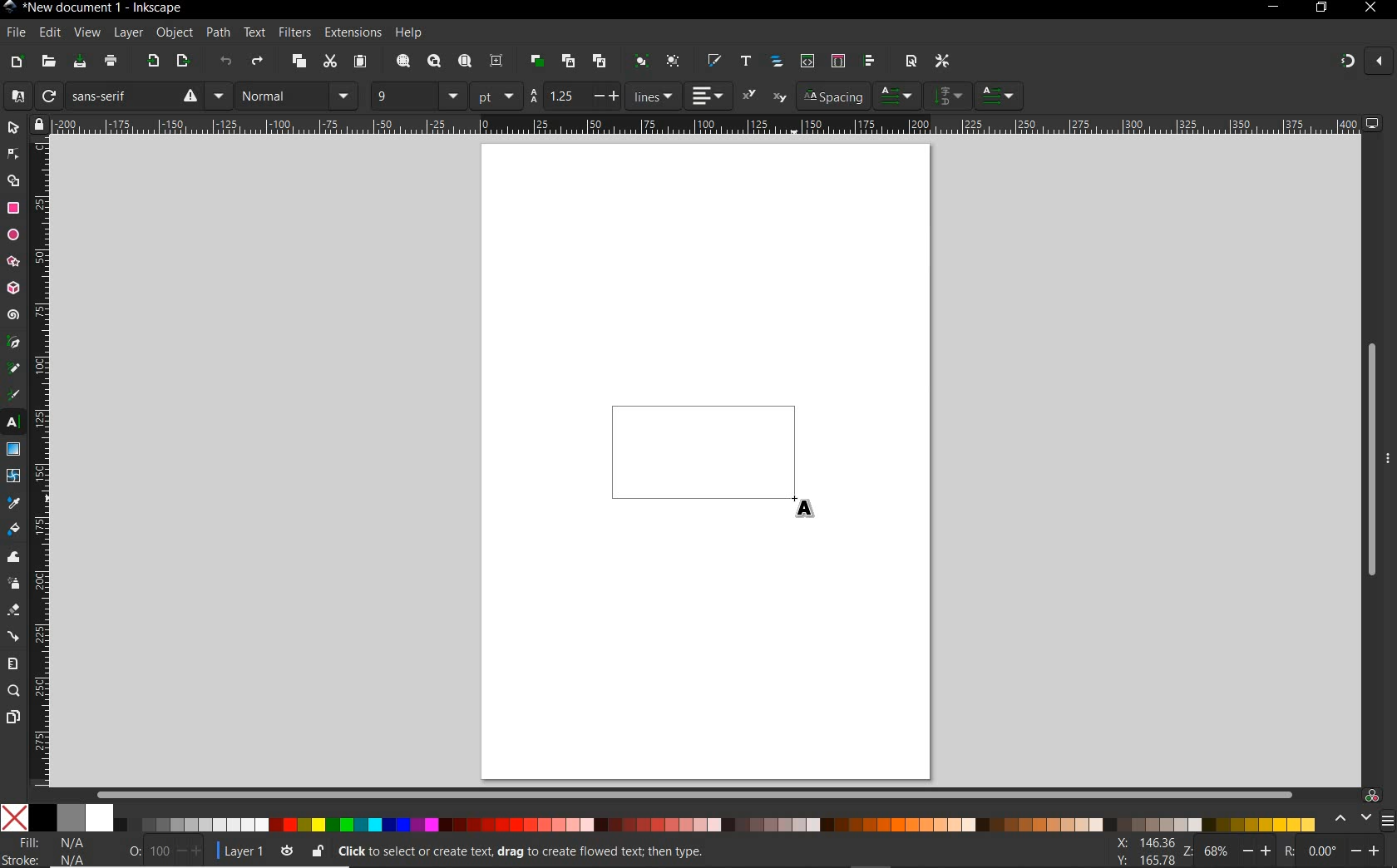 This screenshot has width=1397, height=868. What do you see at coordinates (287, 850) in the screenshot?
I see `toggle currnt layer` at bounding box center [287, 850].